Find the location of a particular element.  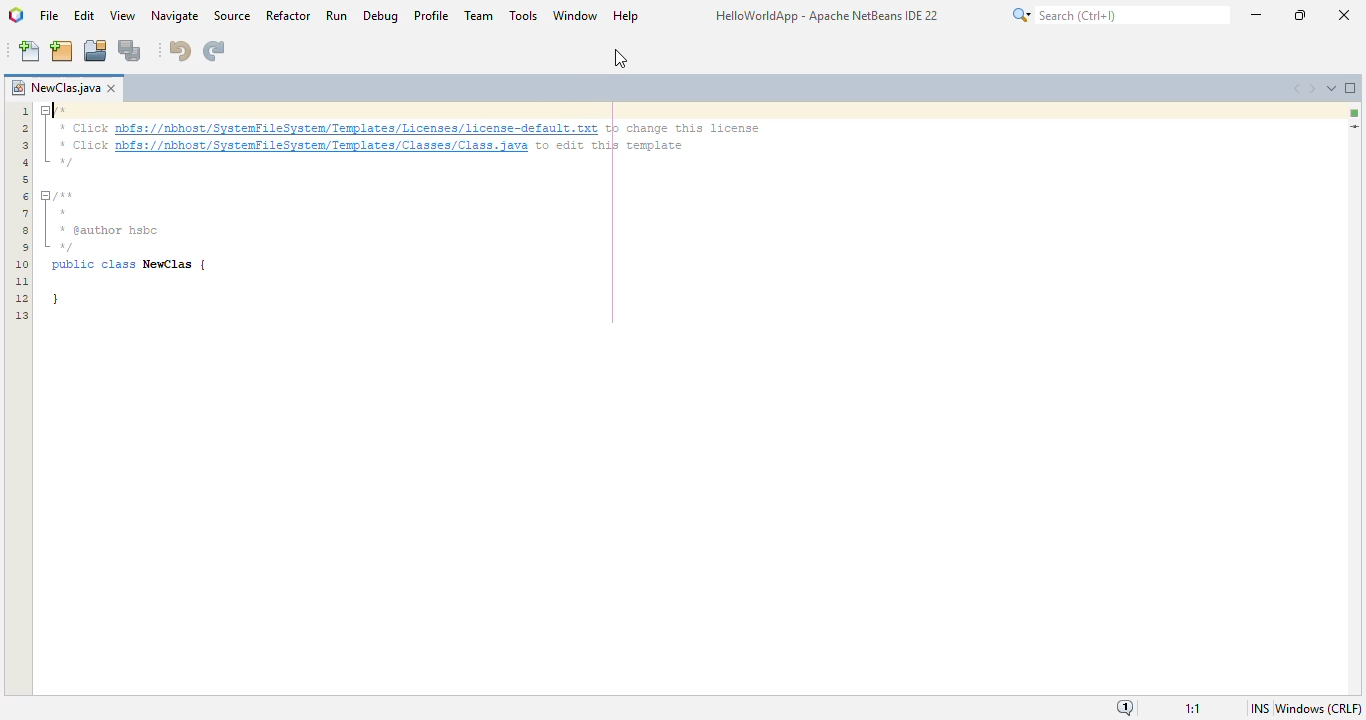

scroll documents left is located at coordinates (1298, 88).